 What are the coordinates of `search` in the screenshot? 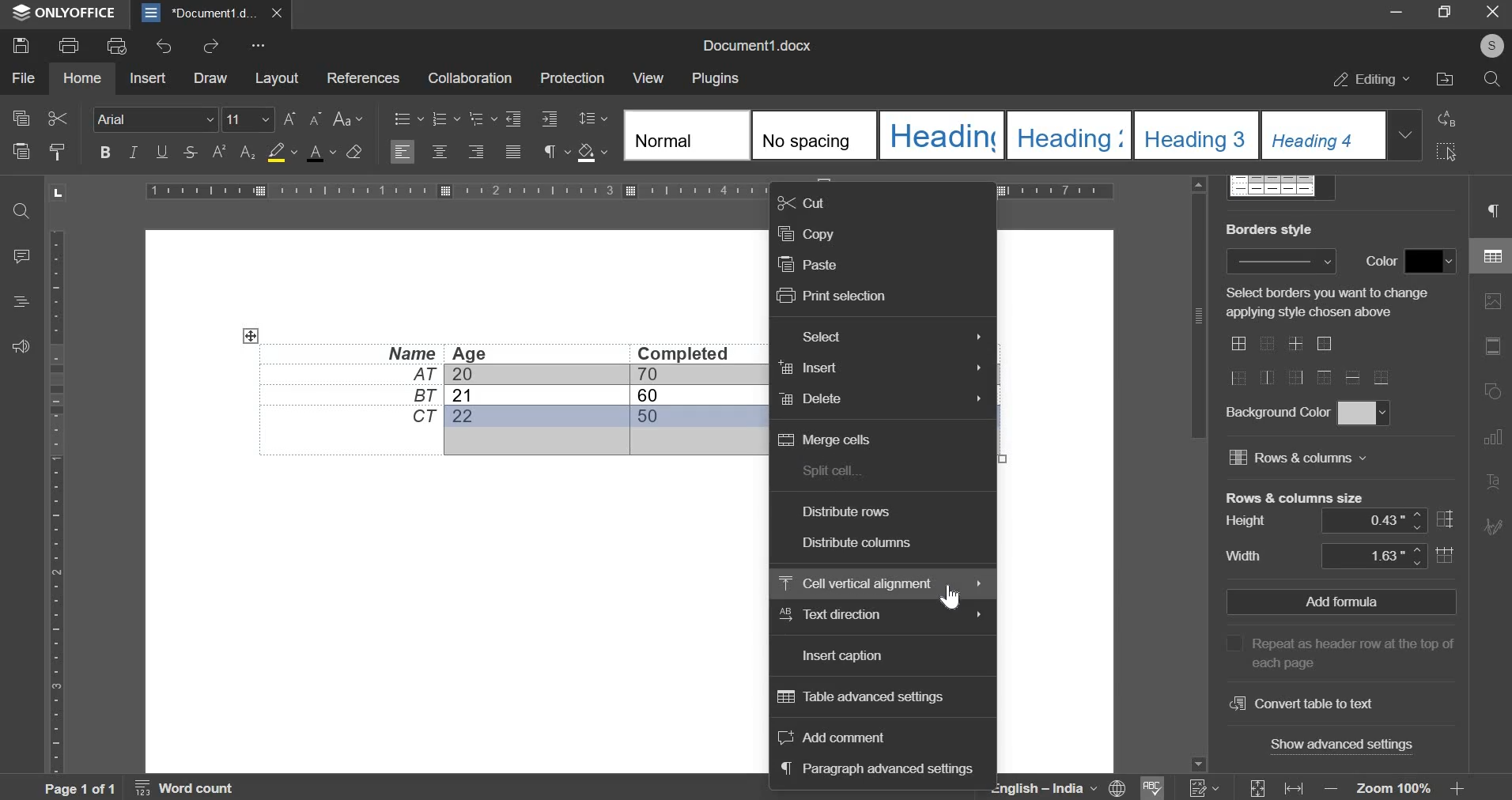 It's located at (22, 208).